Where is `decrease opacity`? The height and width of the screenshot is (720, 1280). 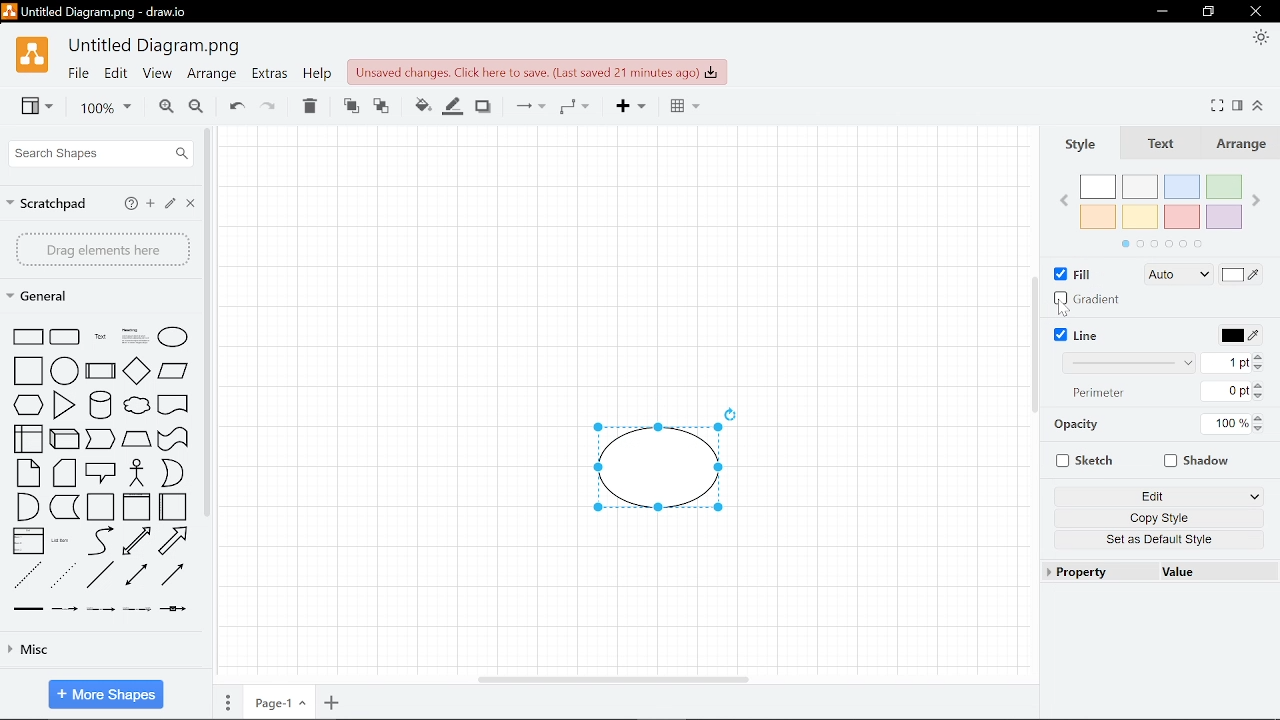
decrease opacity is located at coordinates (1262, 430).